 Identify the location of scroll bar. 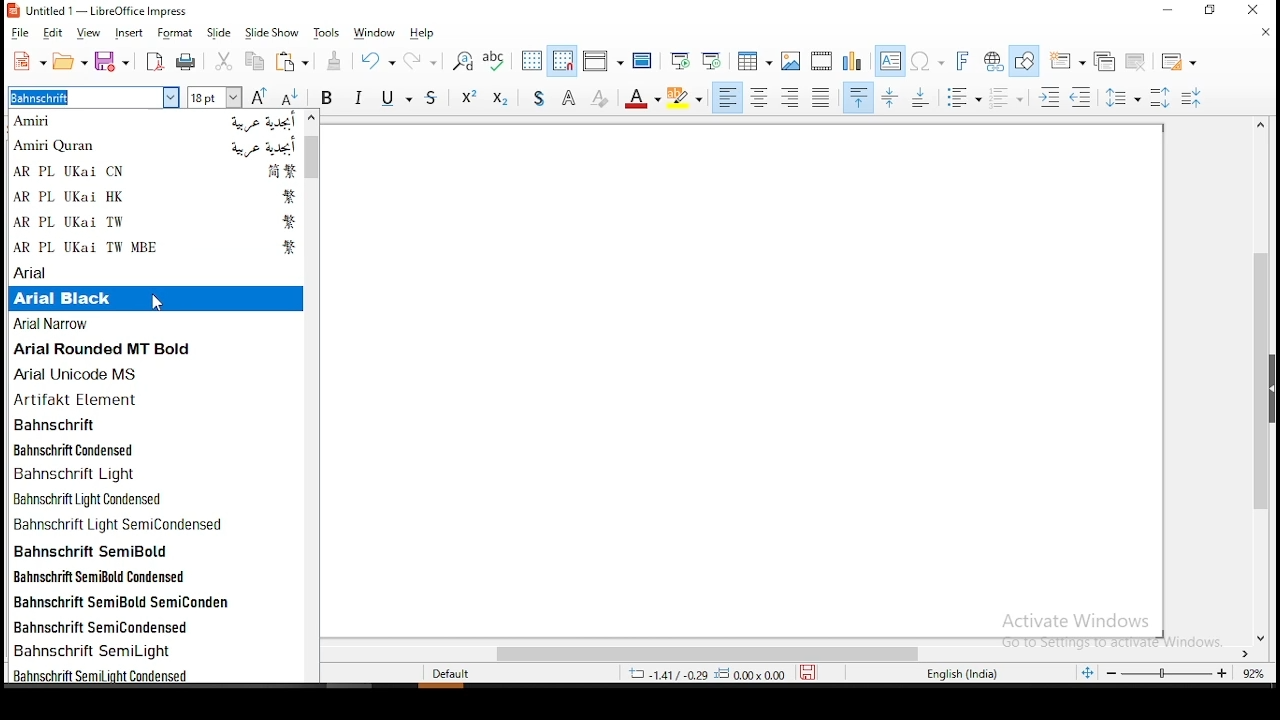
(791, 653).